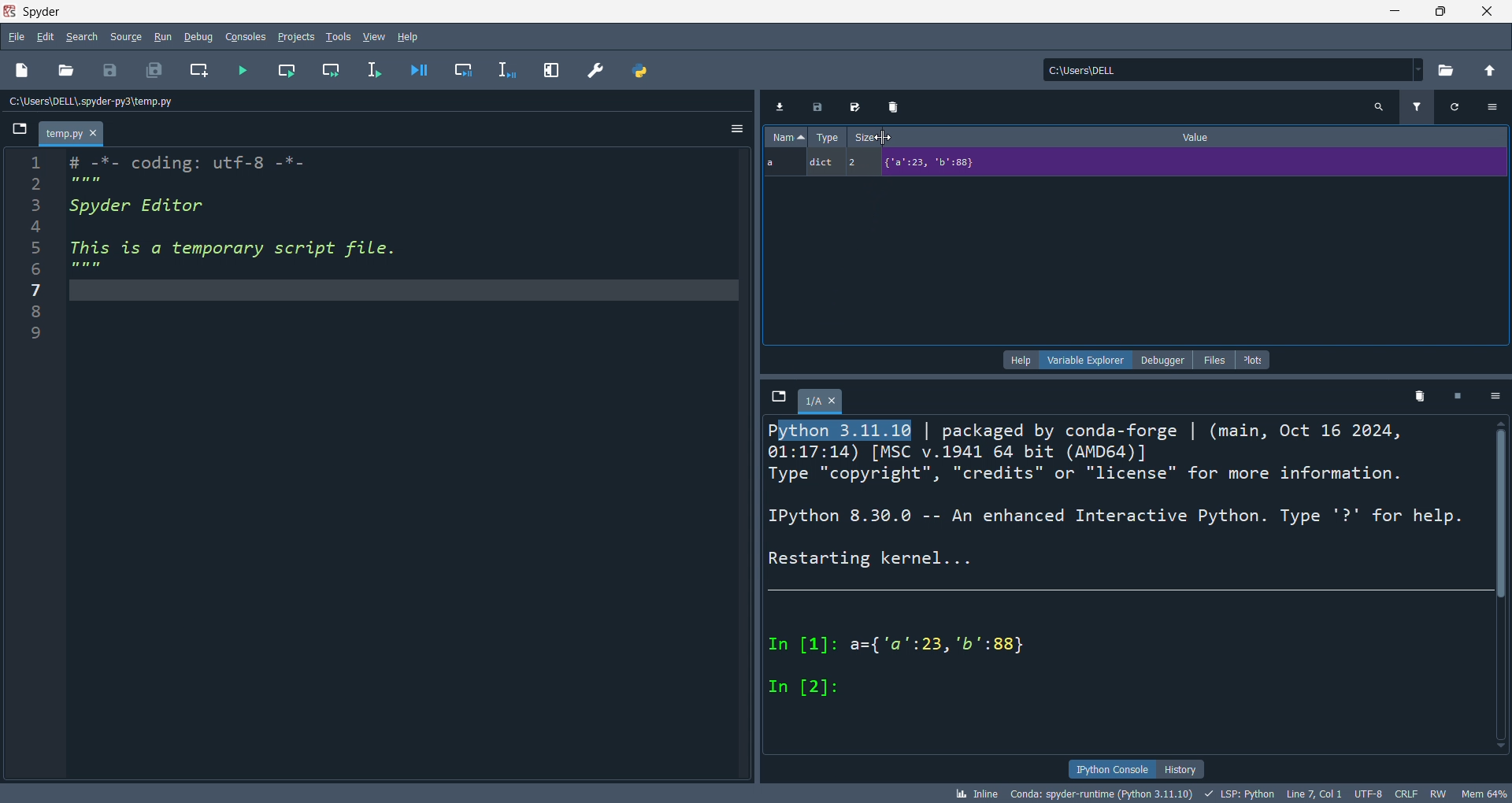 The height and width of the screenshot is (803, 1512). I want to click on save data, so click(815, 110).